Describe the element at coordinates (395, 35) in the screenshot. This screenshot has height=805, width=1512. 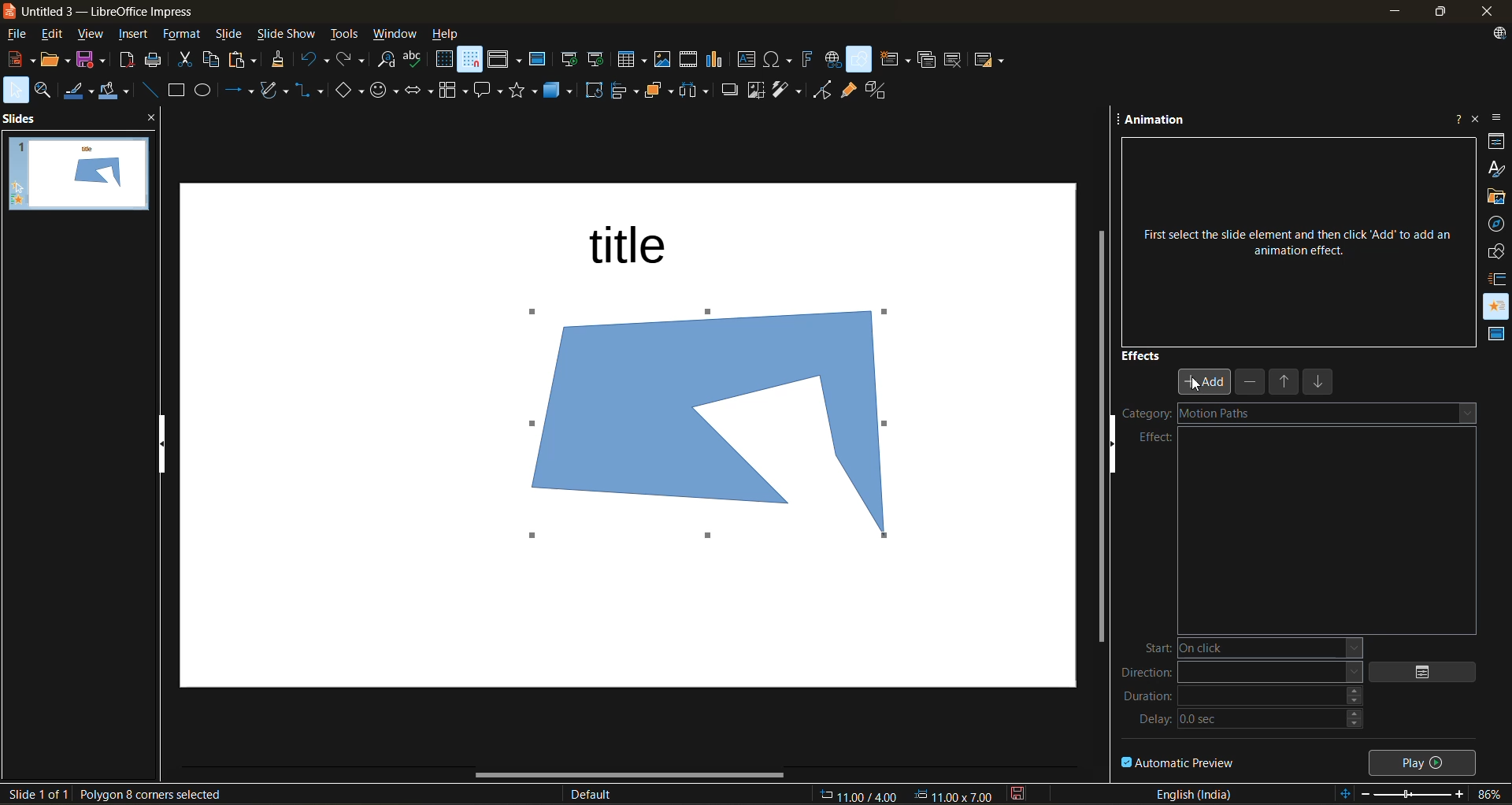
I see `window` at that location.